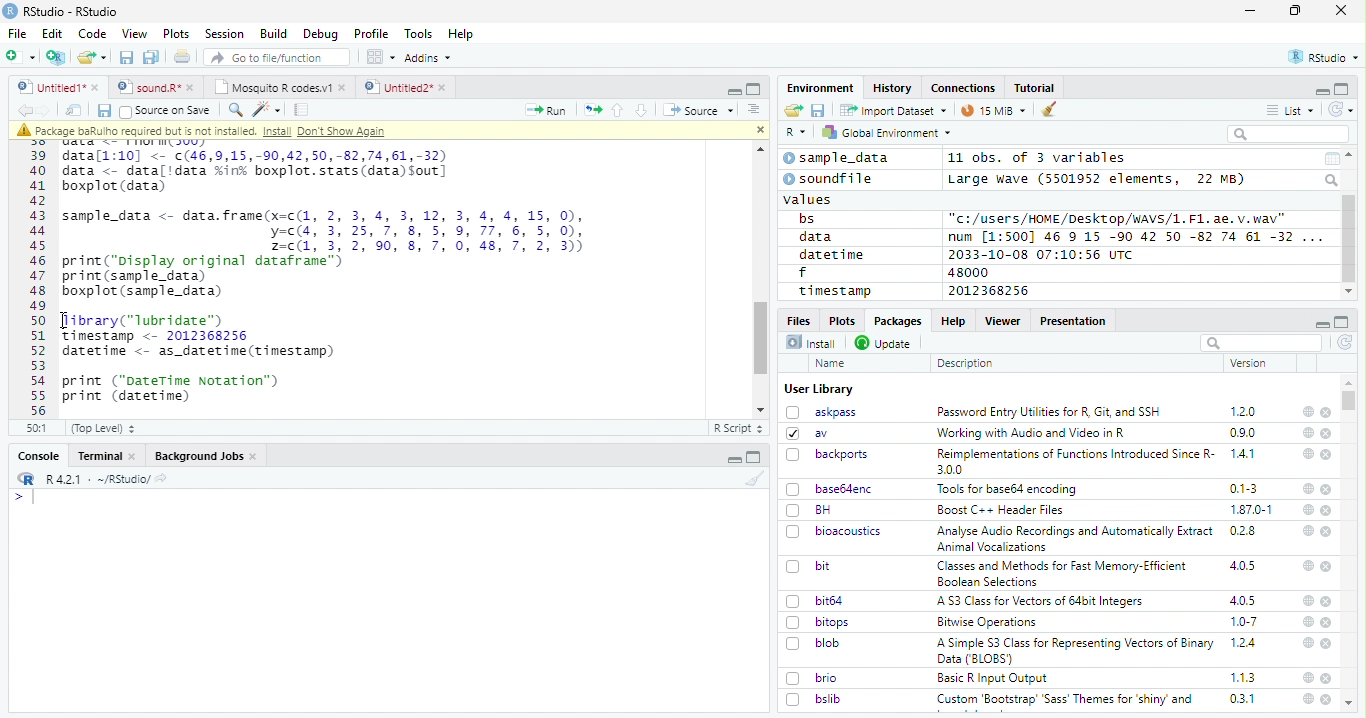  What do you see at coordinates (1245, 411) in the screenshot?
I see `1.2.0` at bounding box center [1245, 411].